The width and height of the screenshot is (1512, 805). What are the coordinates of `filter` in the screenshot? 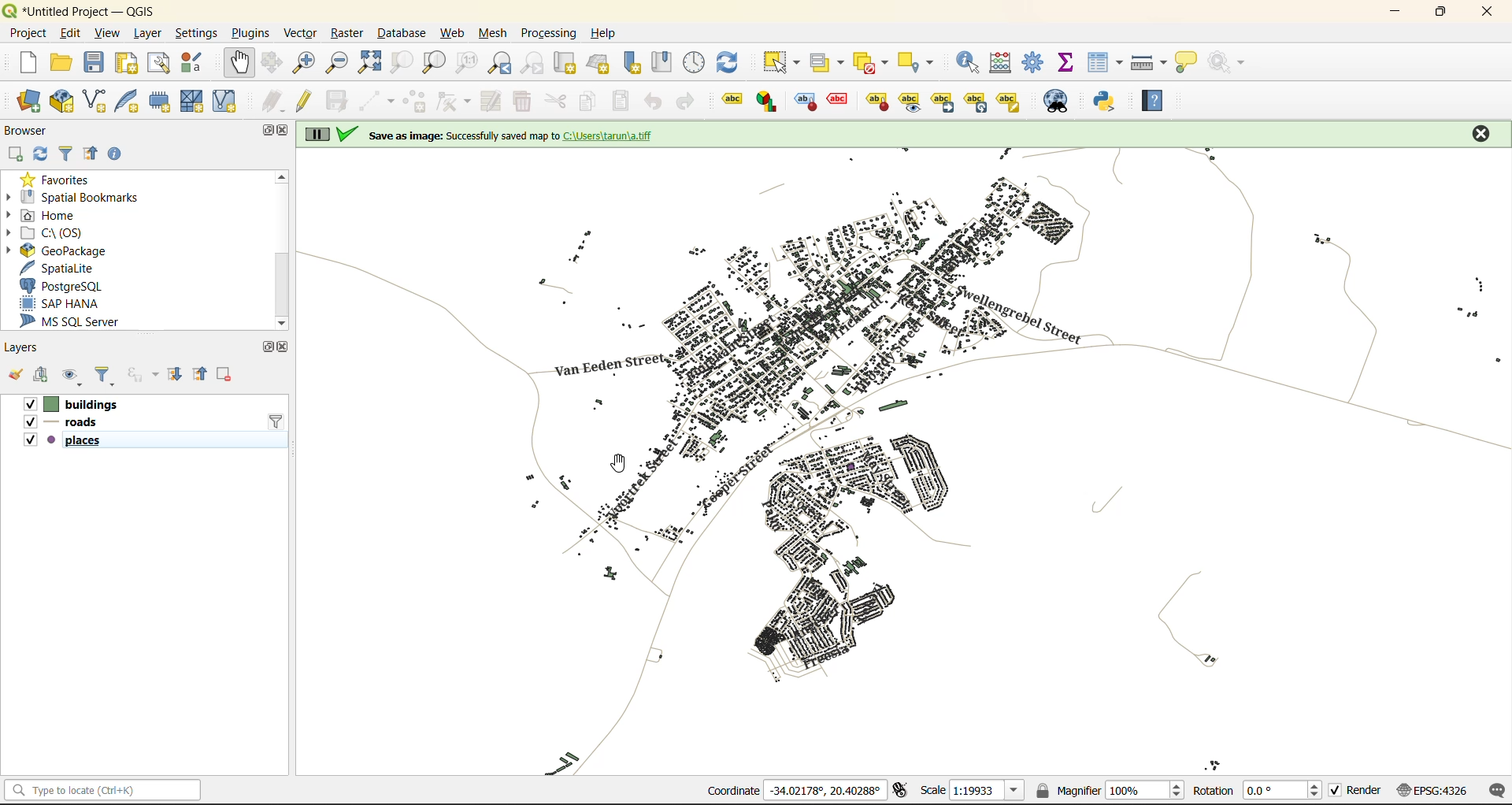 It's located at (104, 378).